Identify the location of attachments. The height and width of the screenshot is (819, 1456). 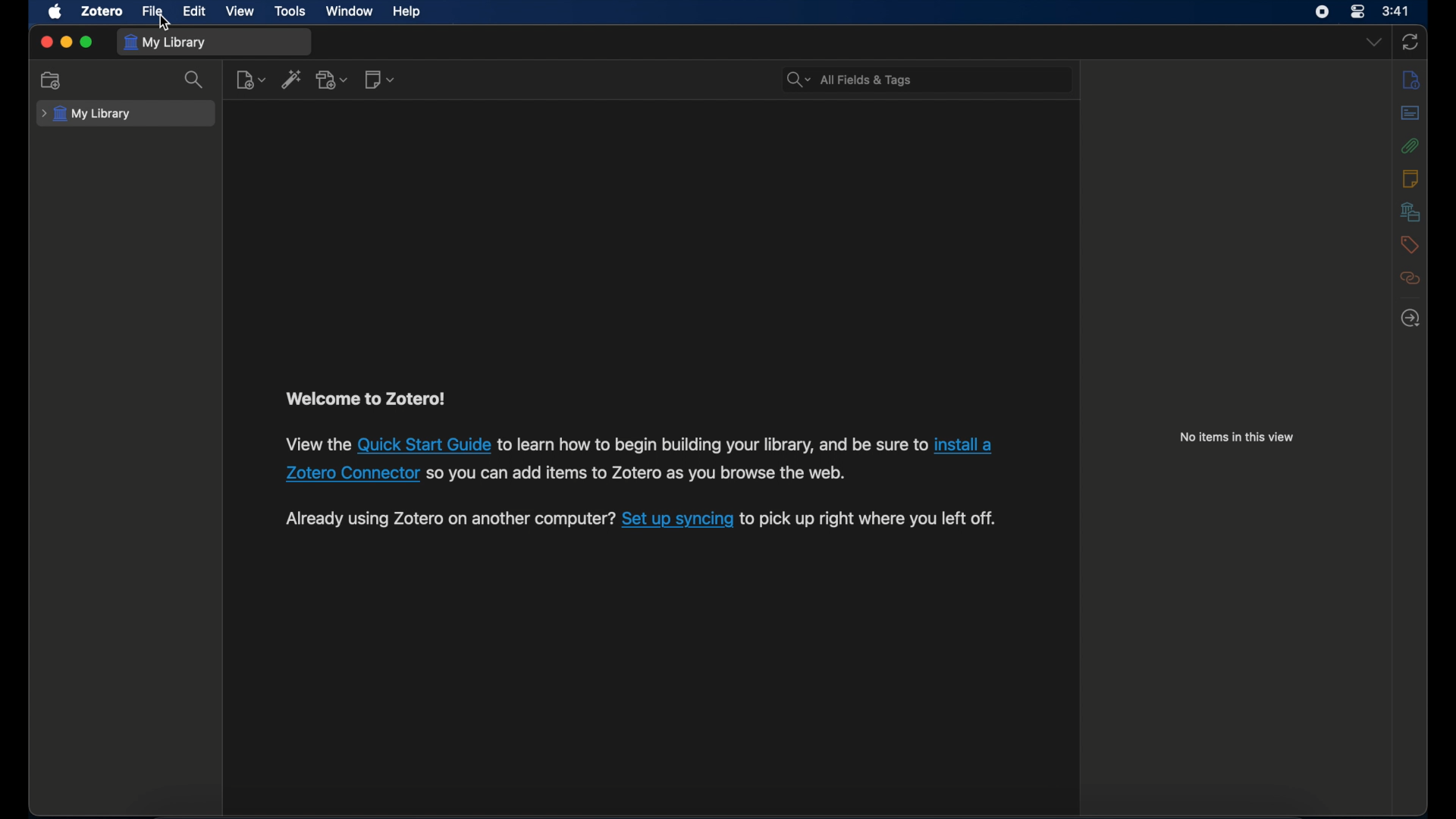
(1411, 146).